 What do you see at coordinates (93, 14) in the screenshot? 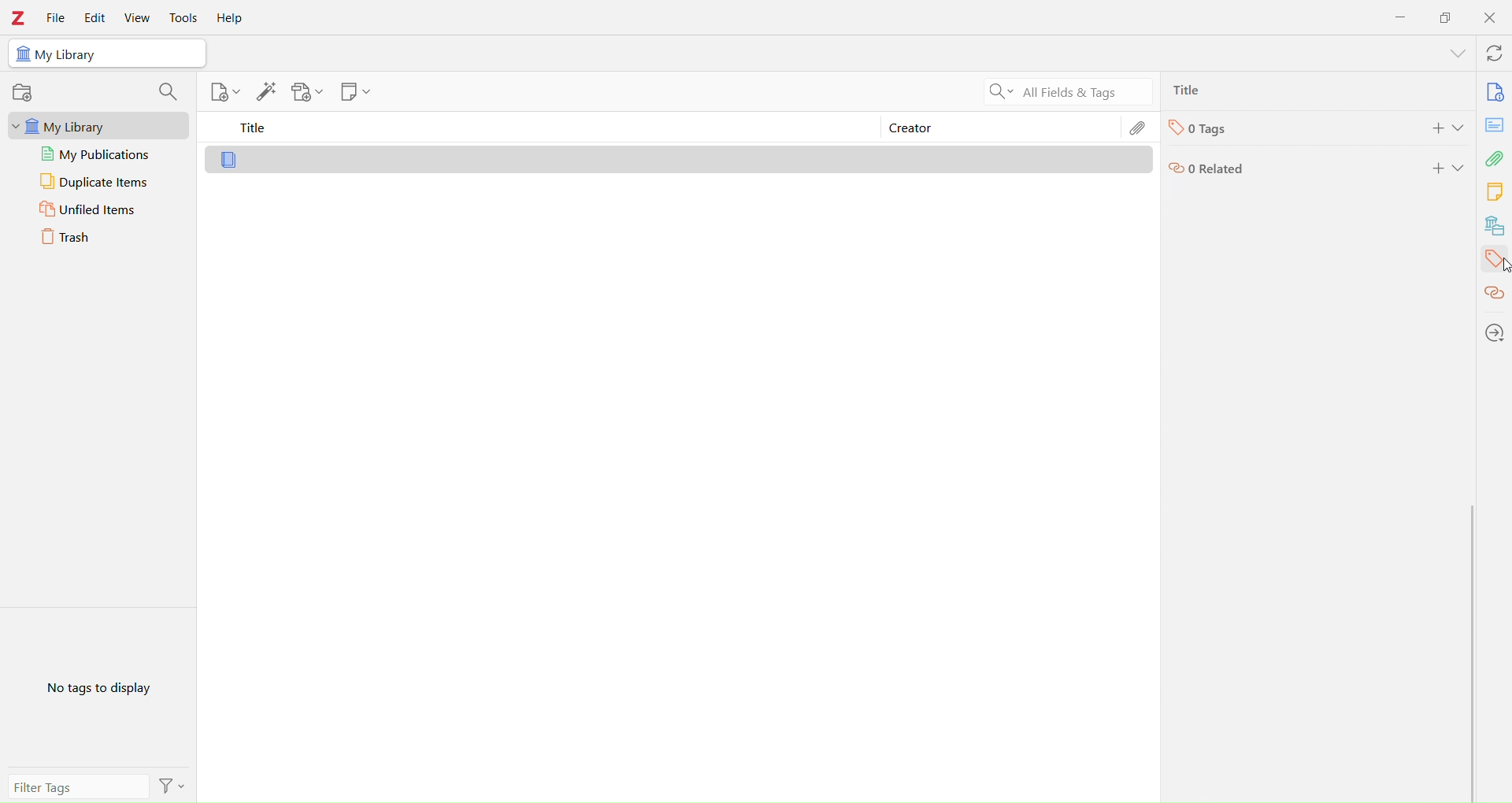
I see `Edit` at bounding box center [93, 14].